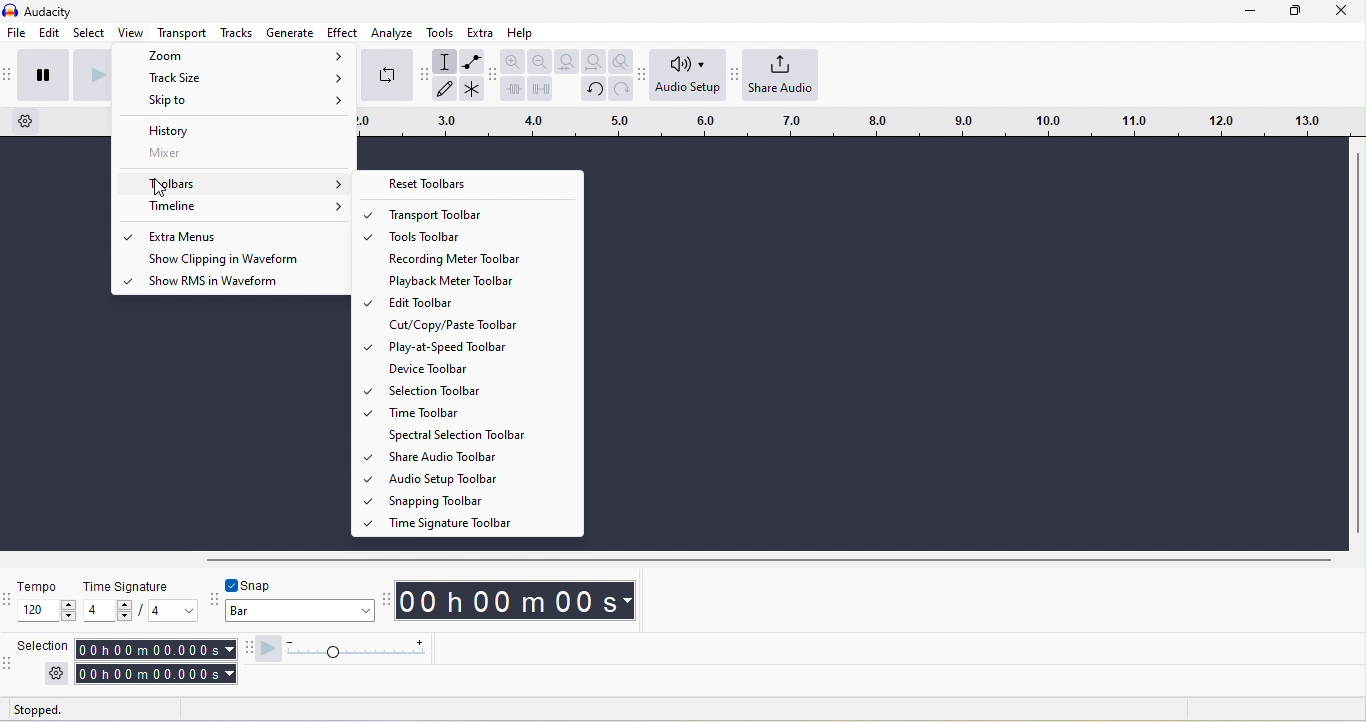 This screenshot has height=722, width=1366. I want to click on transport, so click(182, 32).